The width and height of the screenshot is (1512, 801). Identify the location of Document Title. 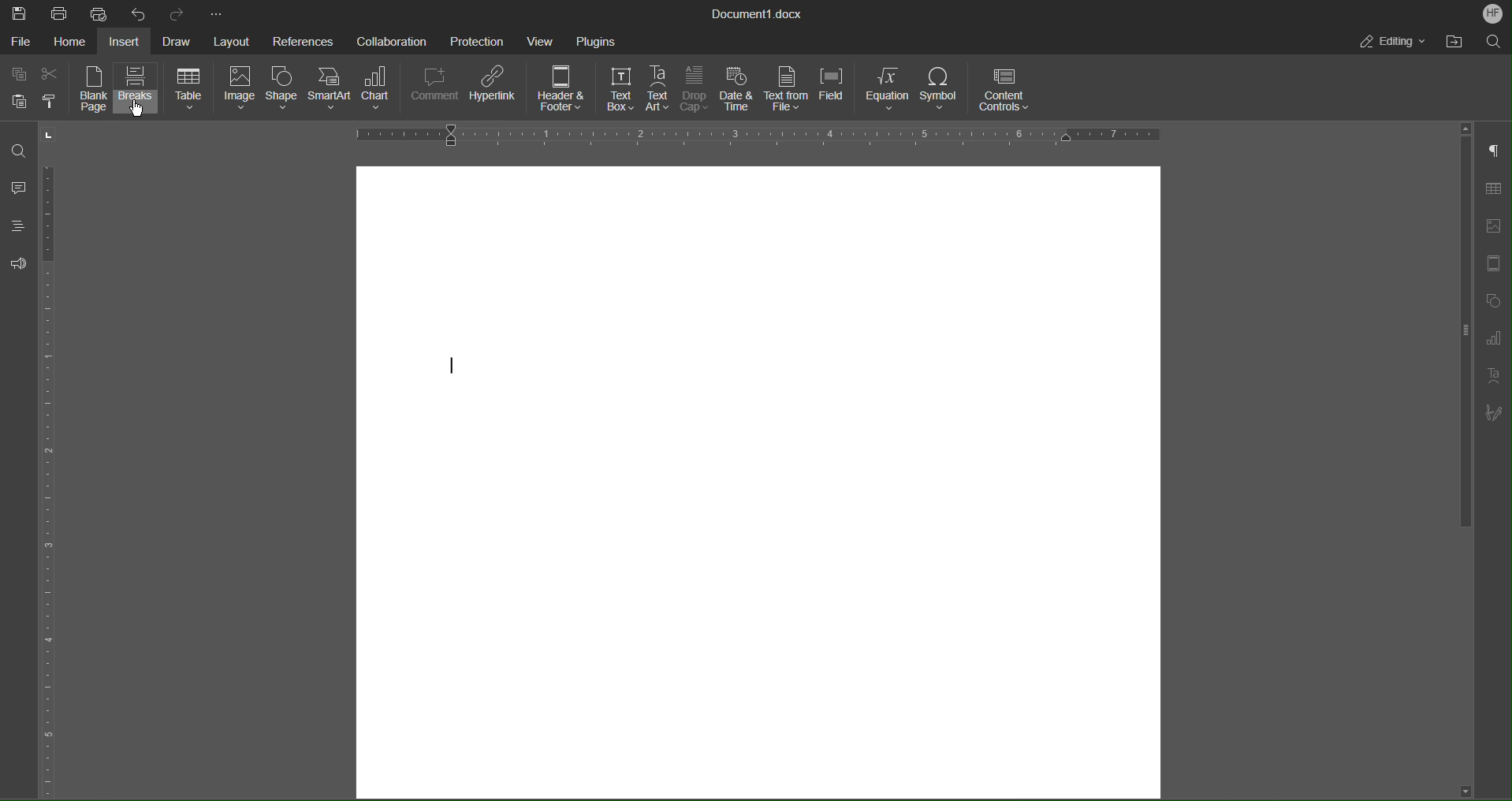
(753, 13).